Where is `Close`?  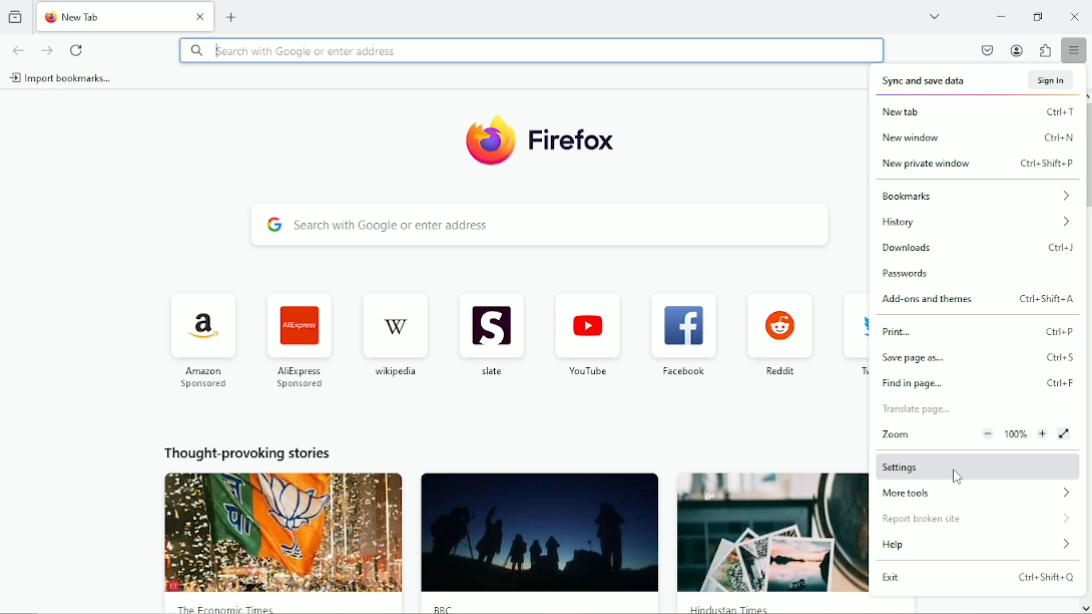 Close is located at coordinates (1075, 16).